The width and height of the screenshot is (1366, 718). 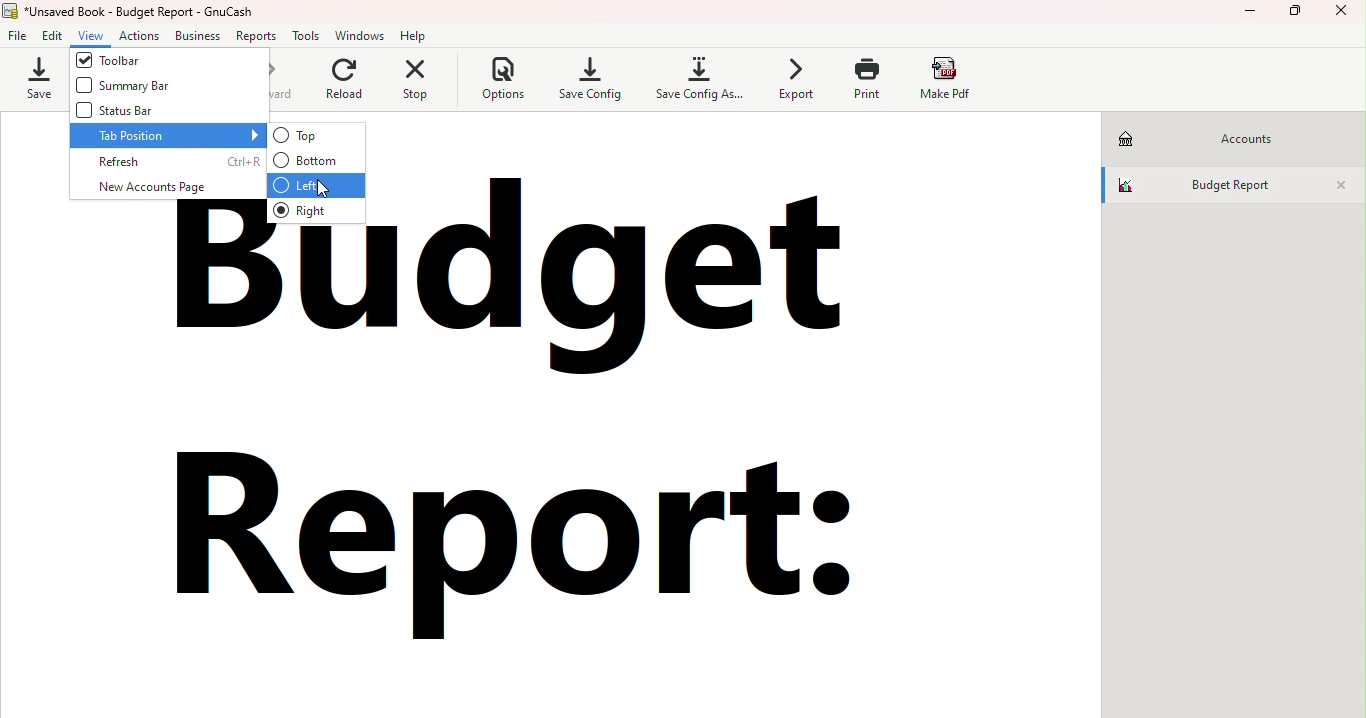 I want to click on Refresh, so click(x=168, y=160).